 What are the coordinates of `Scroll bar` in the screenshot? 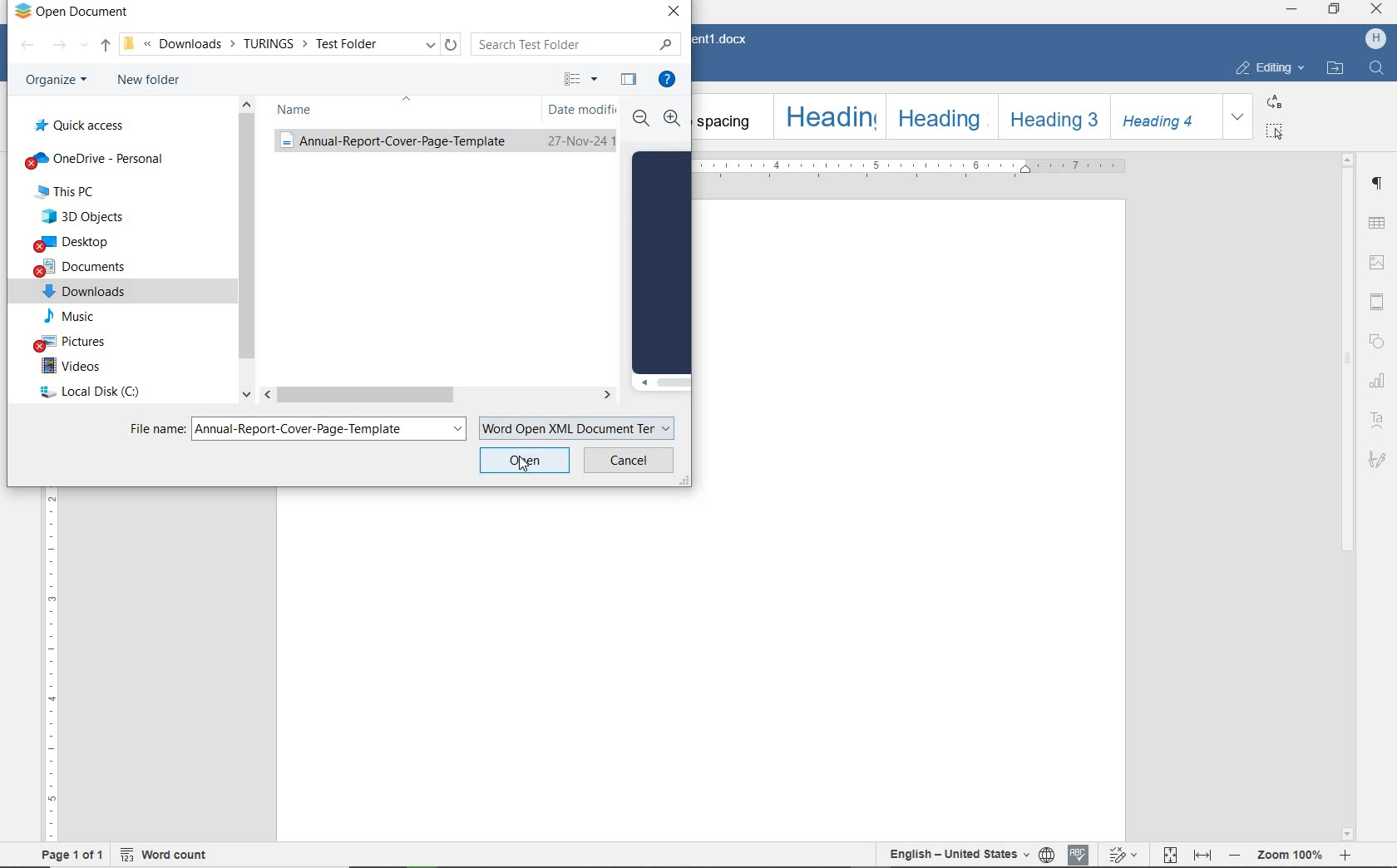 It's located at (661, 385).